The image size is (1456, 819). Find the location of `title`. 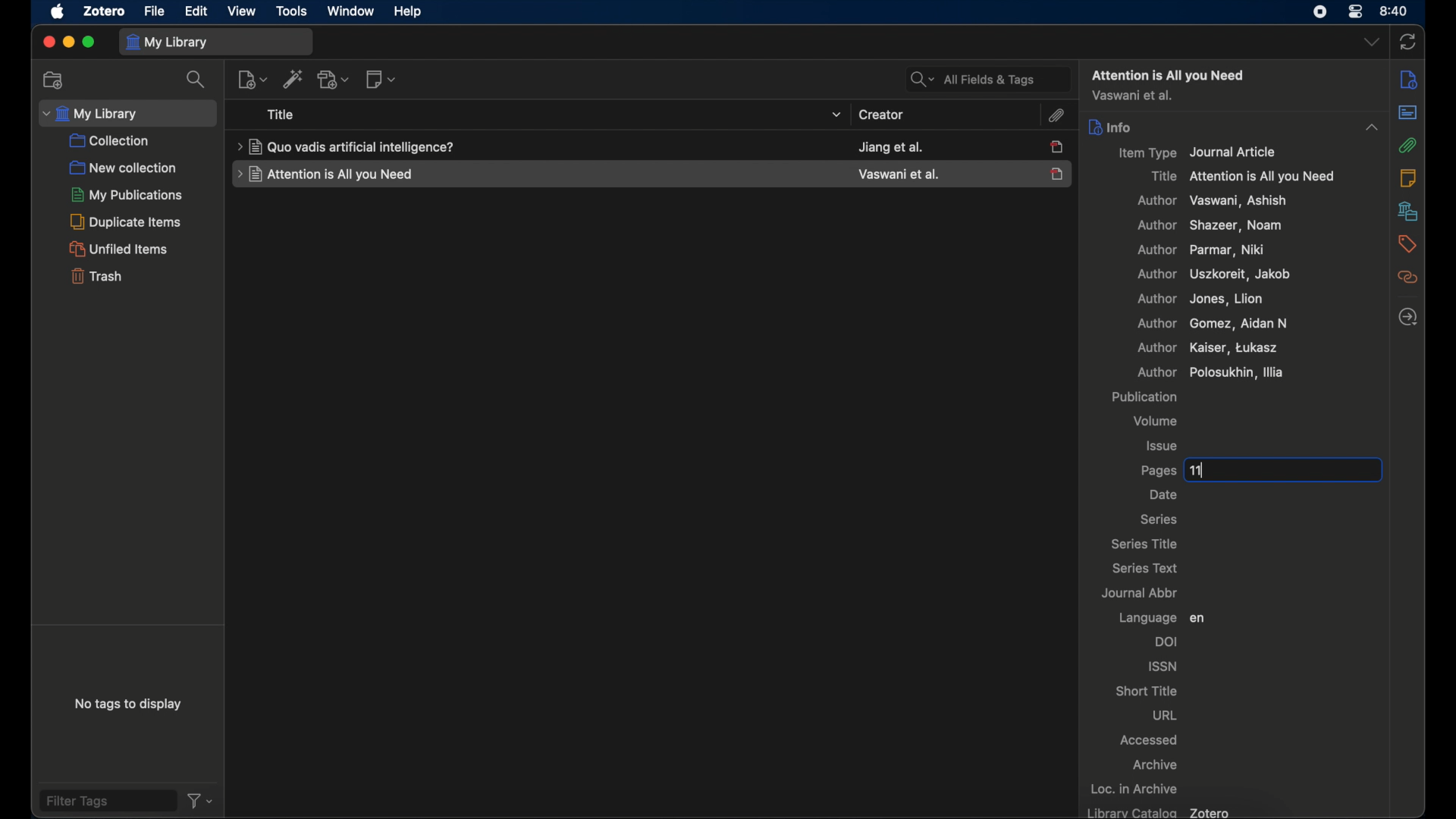

title is located at coordinates (346, 146).